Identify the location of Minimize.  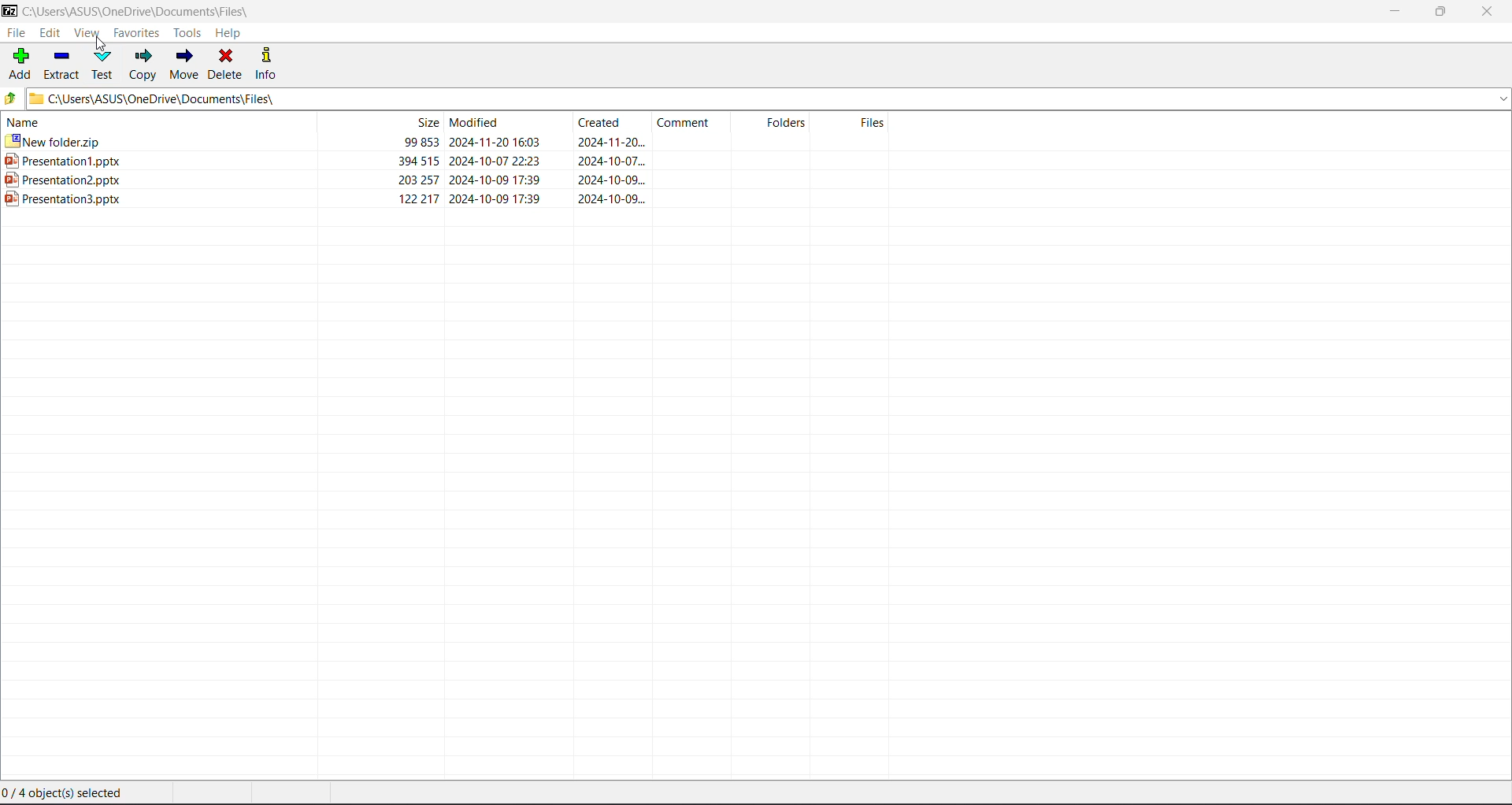
(1395, 12).